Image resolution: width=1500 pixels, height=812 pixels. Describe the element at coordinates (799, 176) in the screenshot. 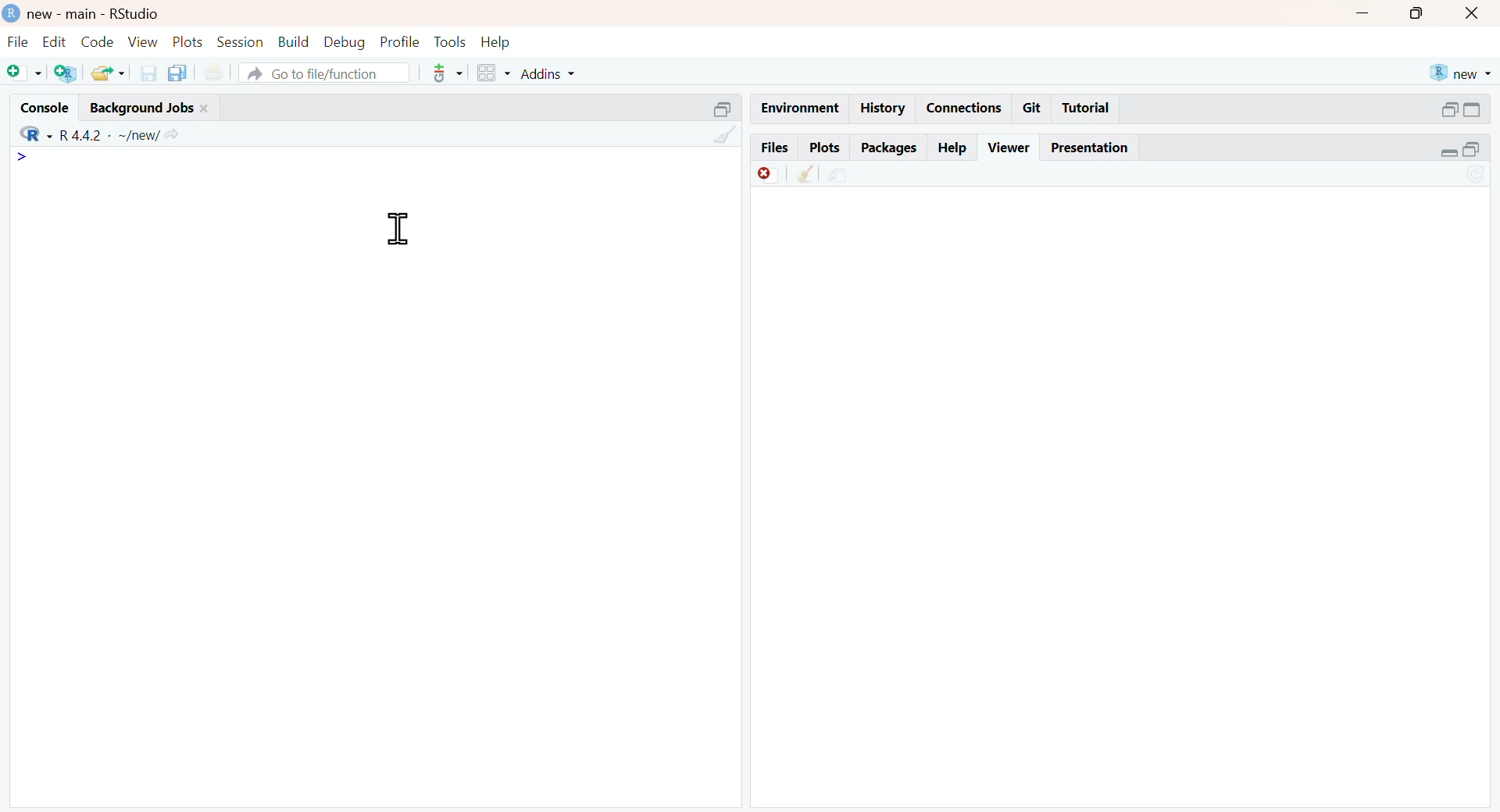

I see `clear all viewer item` at that location.